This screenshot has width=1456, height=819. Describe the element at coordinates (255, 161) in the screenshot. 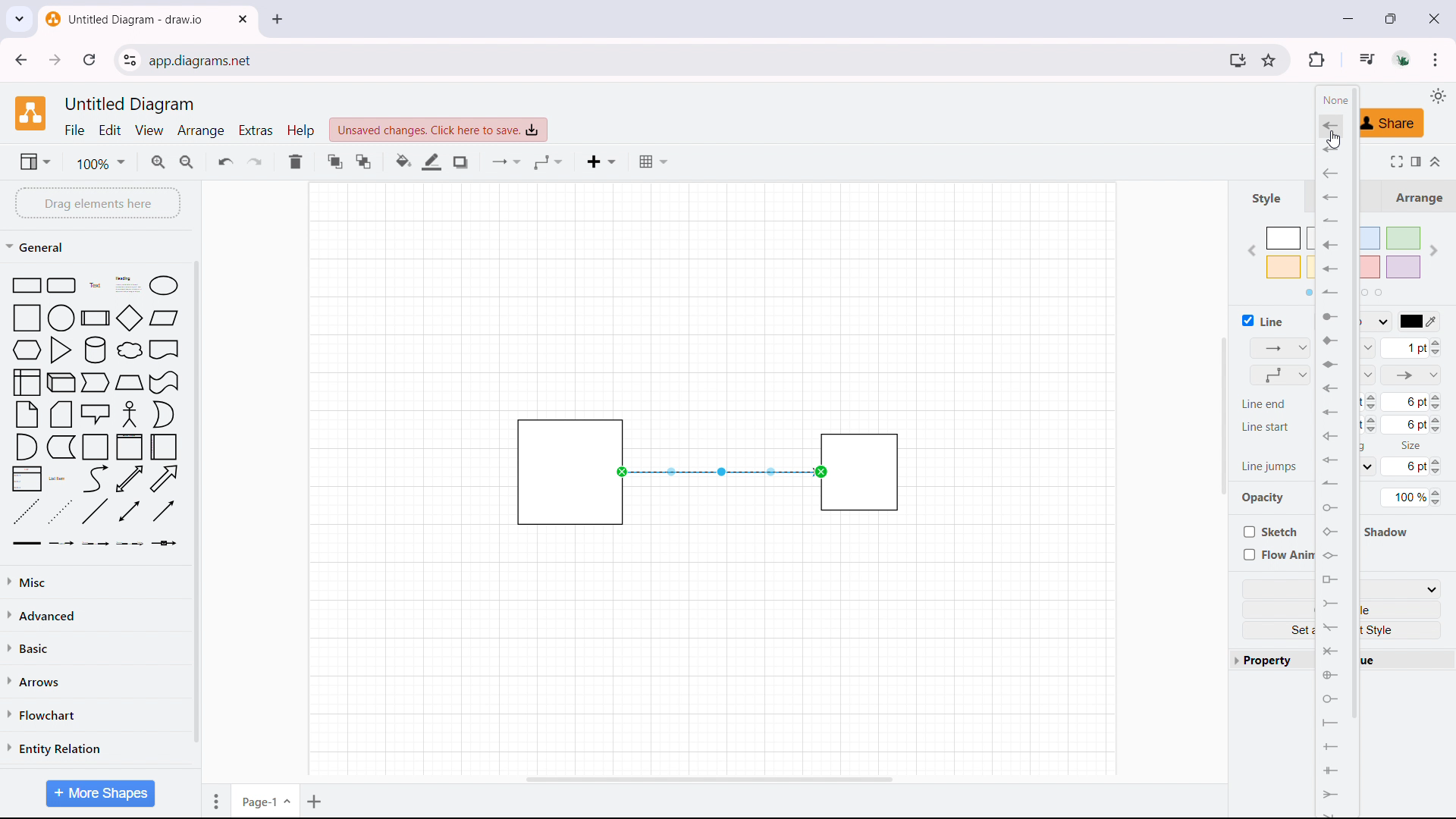

I see `redo` at that location.